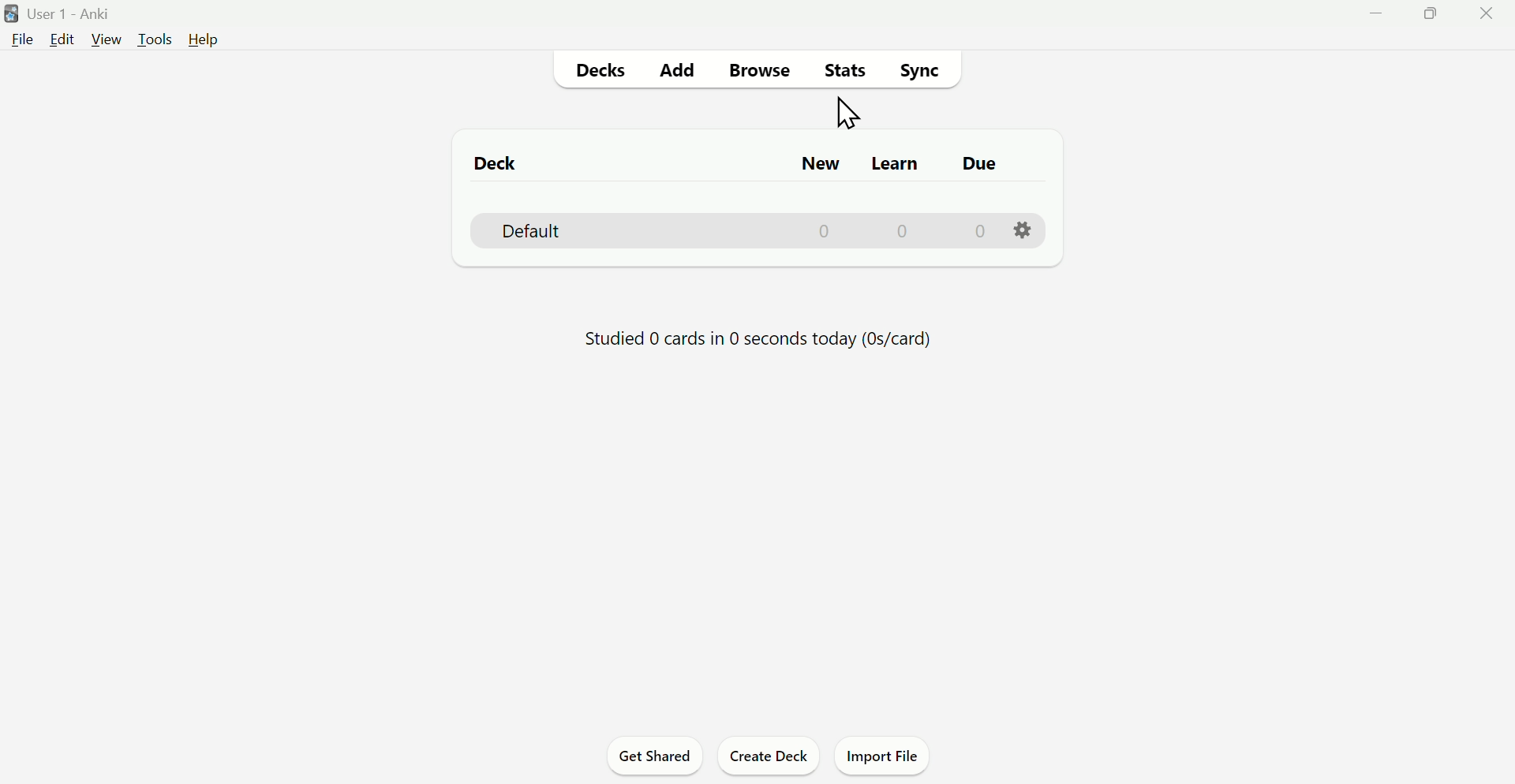  I want to click on Sync, so click(926, 74).